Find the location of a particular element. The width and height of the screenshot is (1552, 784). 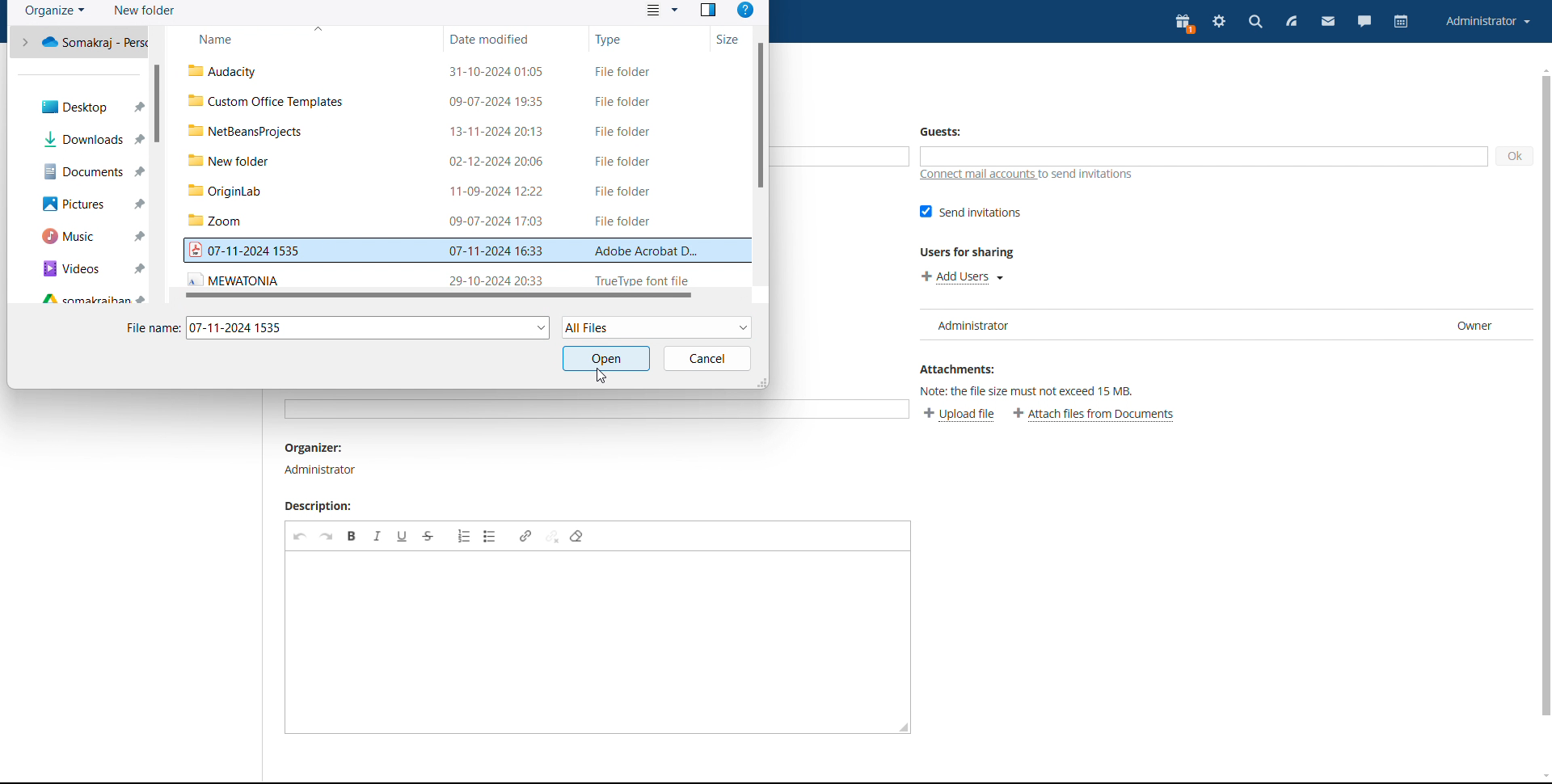

select file type is located at coordinates (656, 327).